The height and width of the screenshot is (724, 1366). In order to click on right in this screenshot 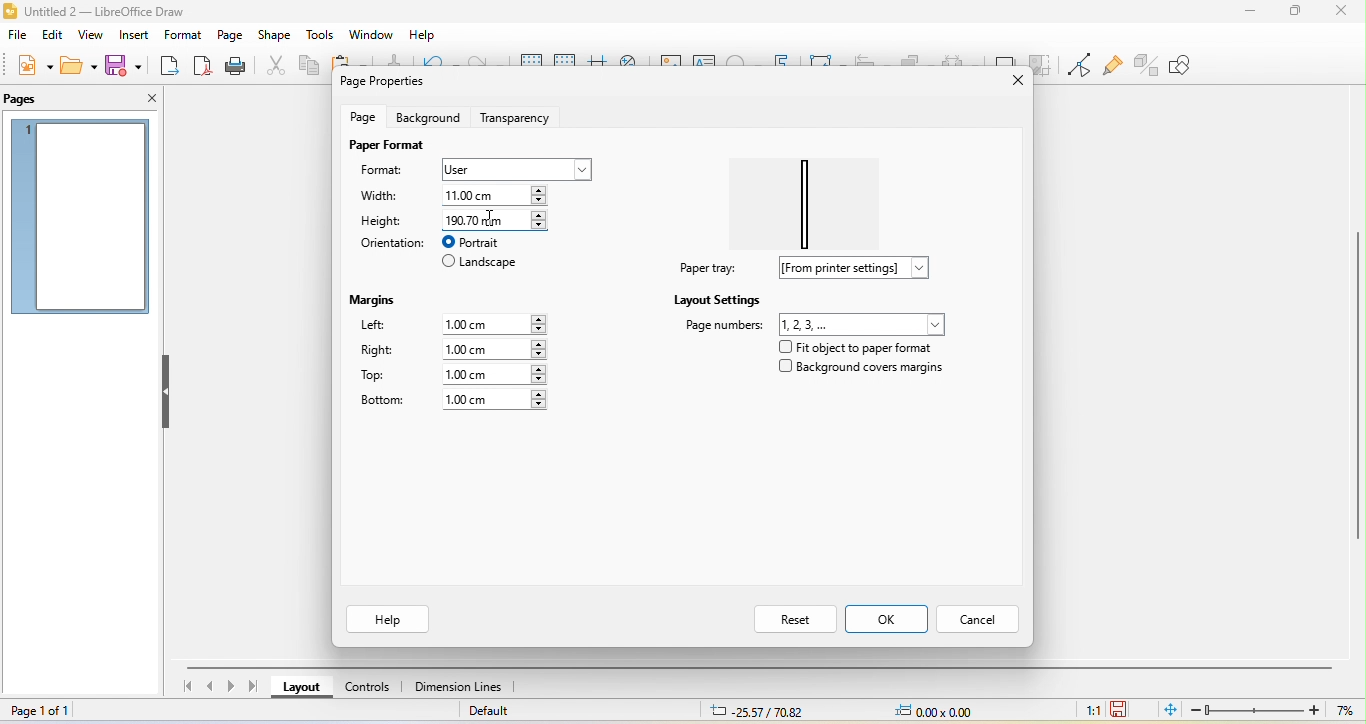, I will do `click(378, 352)`.